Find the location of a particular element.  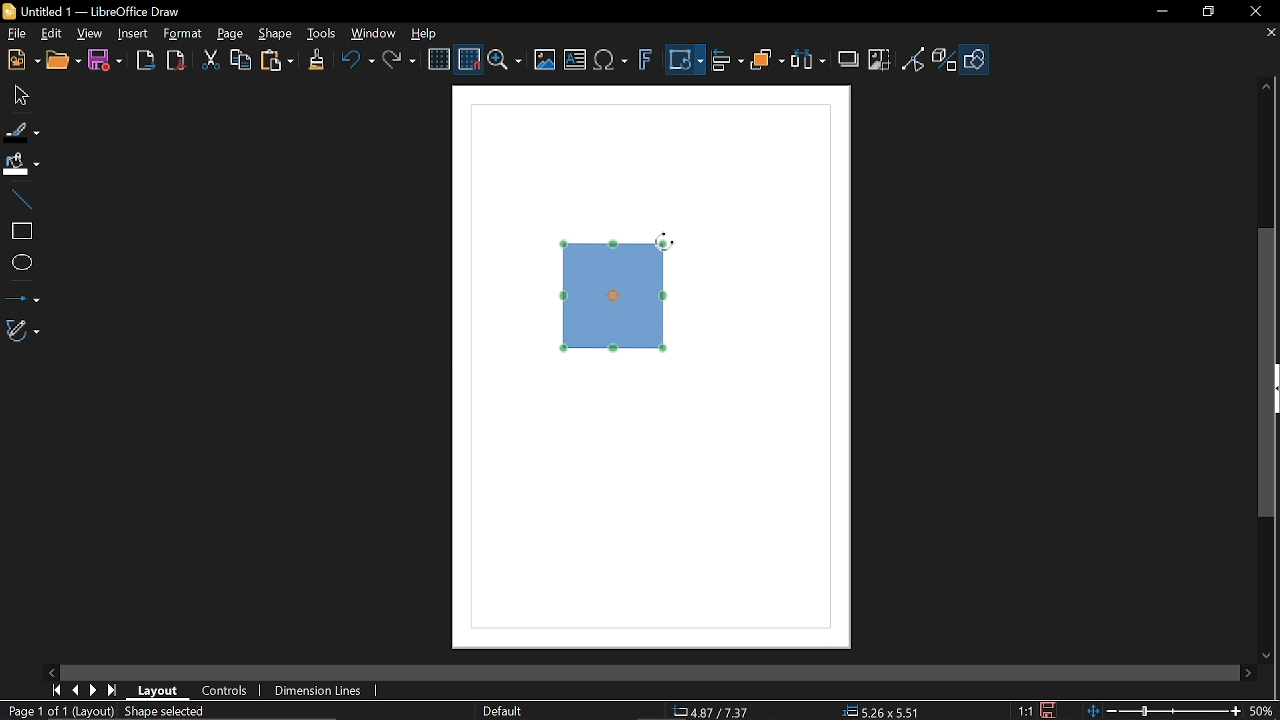

Close window is located at coordinates (1255, 12).